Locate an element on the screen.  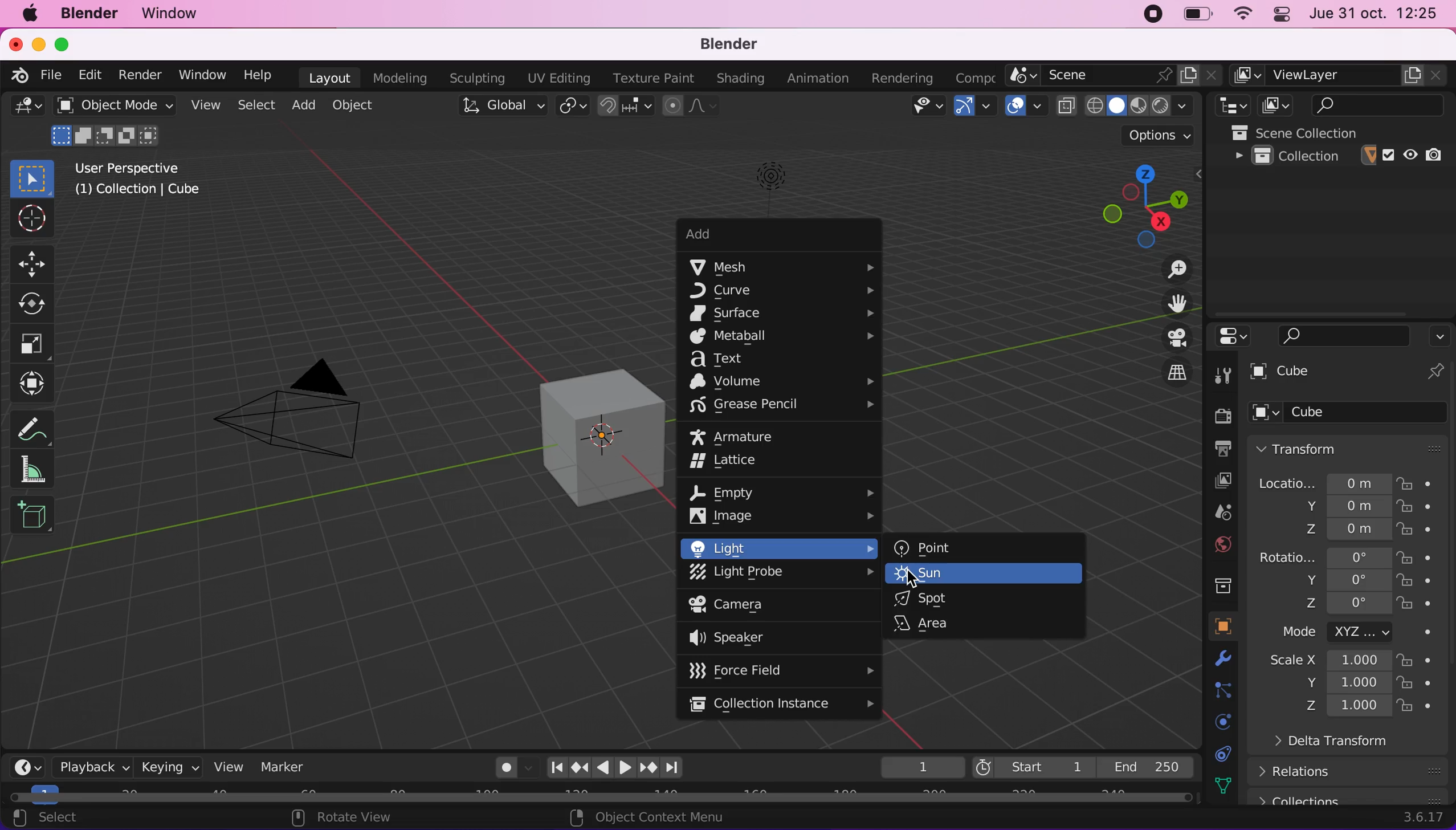
add cube is located at coordinates (32, 516).